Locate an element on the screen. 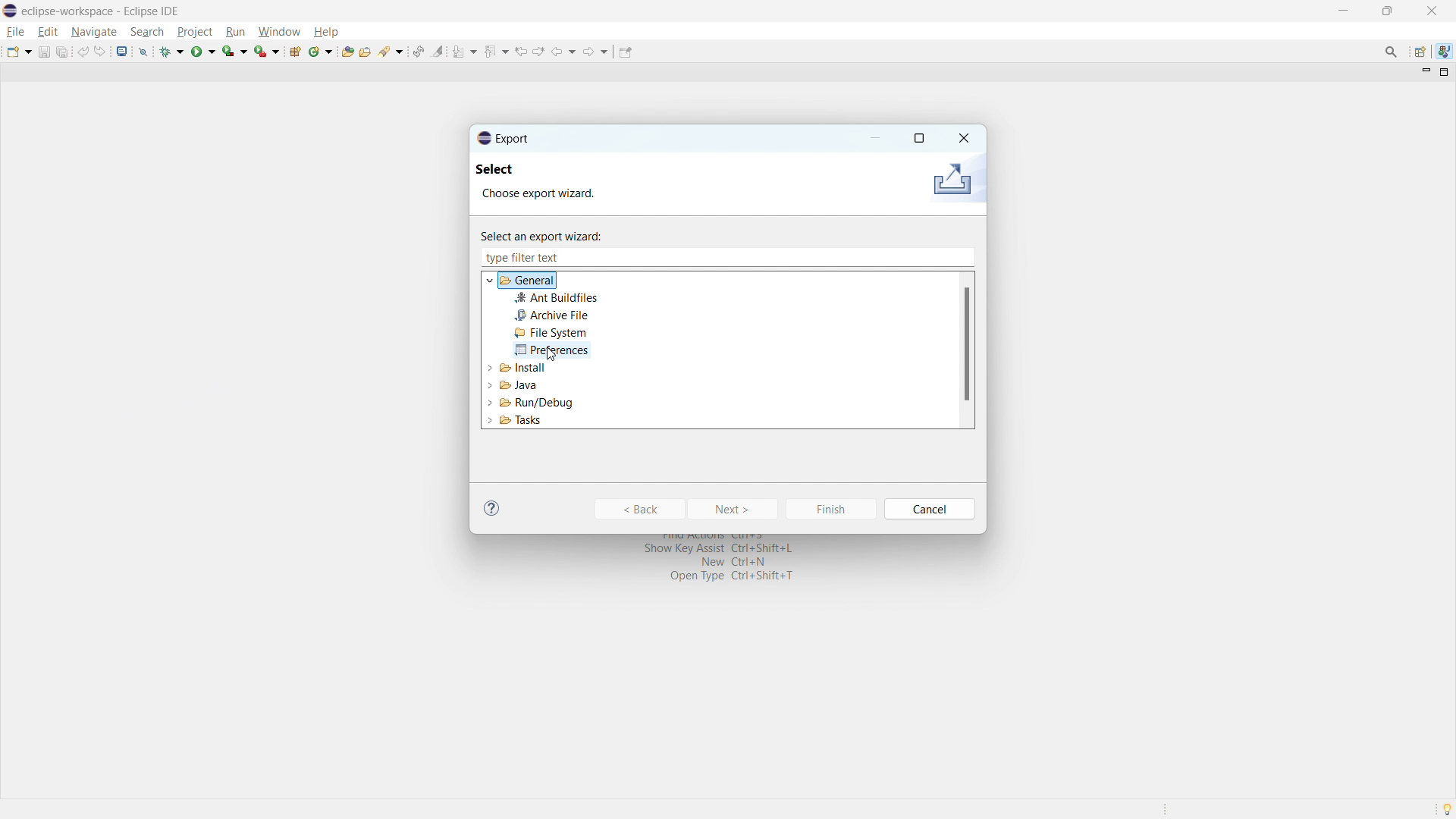 The width and height of the screenshot is (1456, 819). java is located at coordinates (1444, 50).